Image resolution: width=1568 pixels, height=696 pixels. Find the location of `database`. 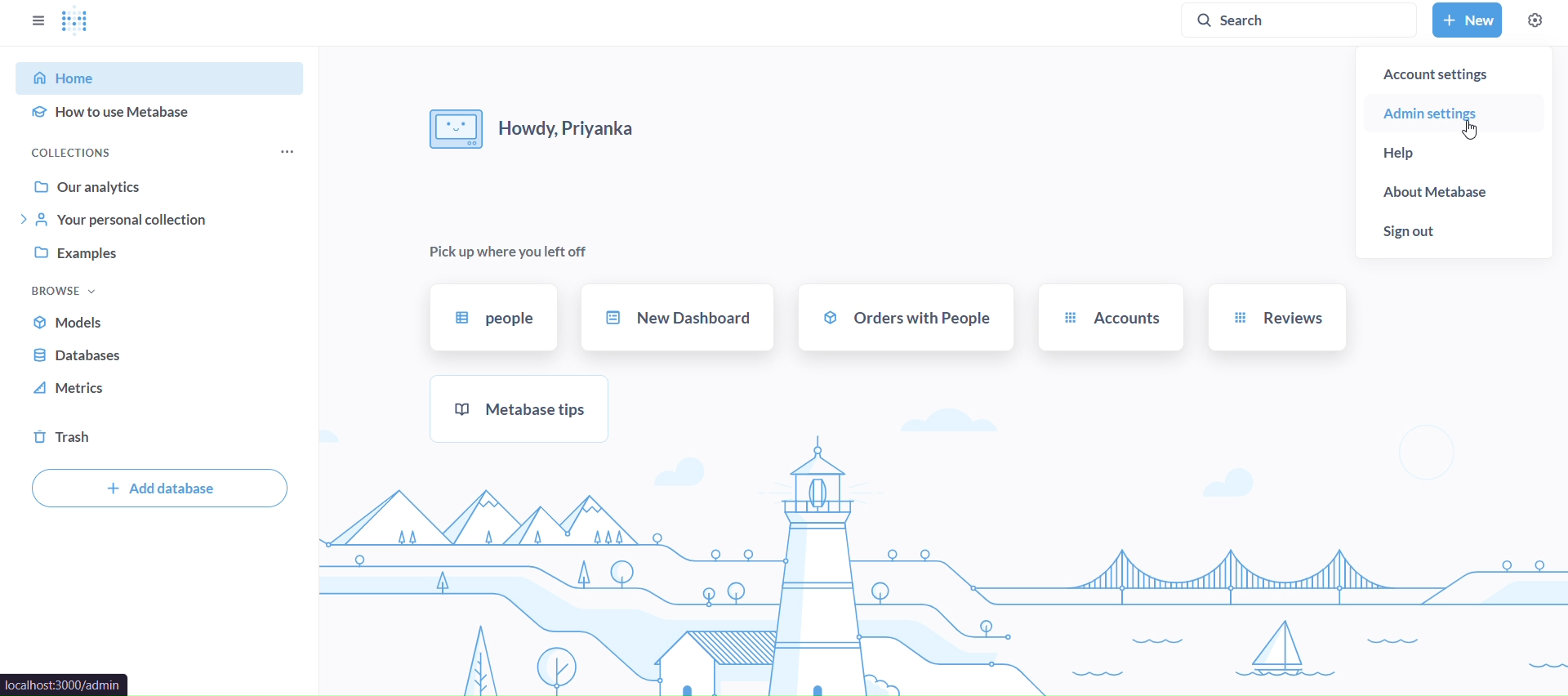

database is located at coordinates (163, 358).